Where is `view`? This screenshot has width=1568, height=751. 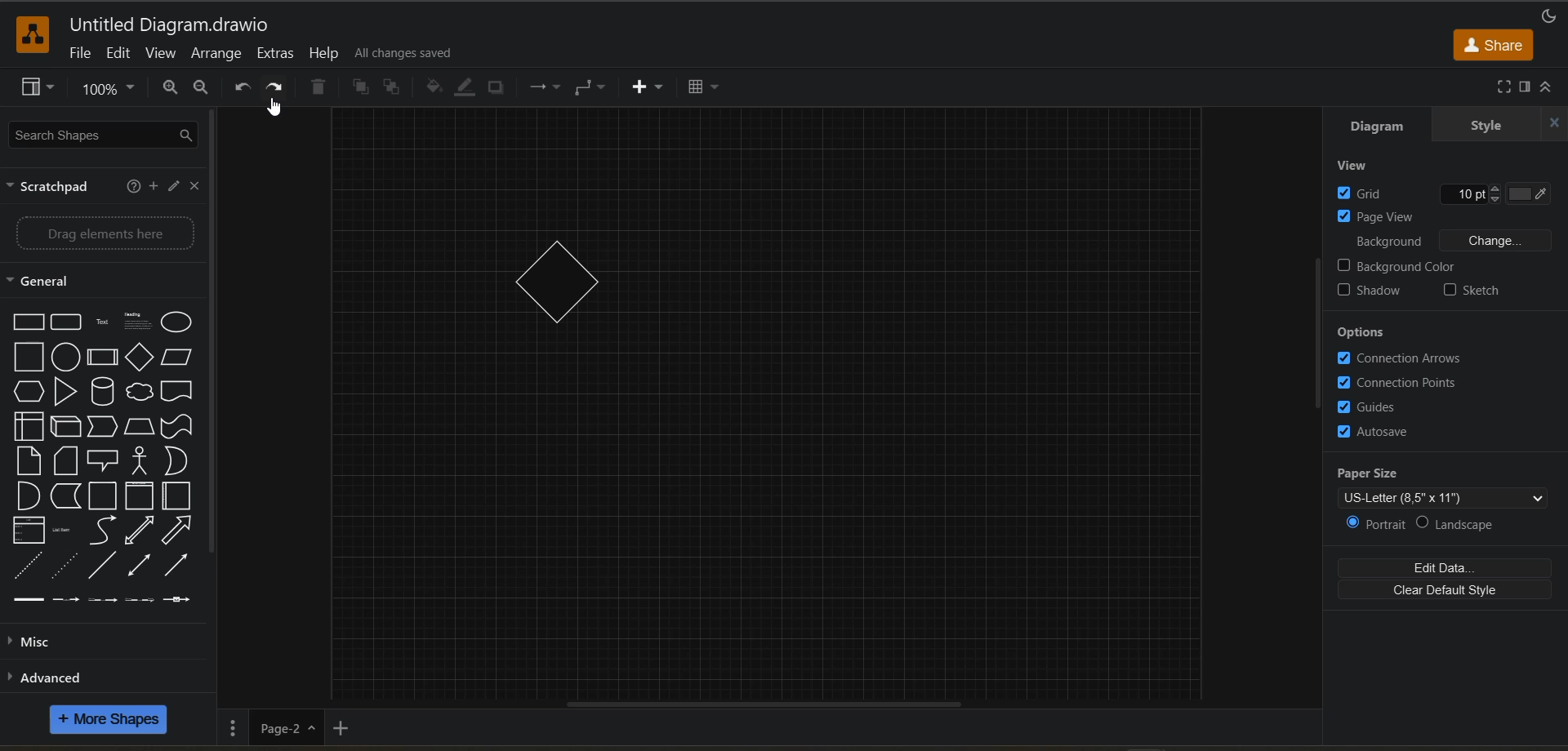 view is located at coordinates (1357, 167).